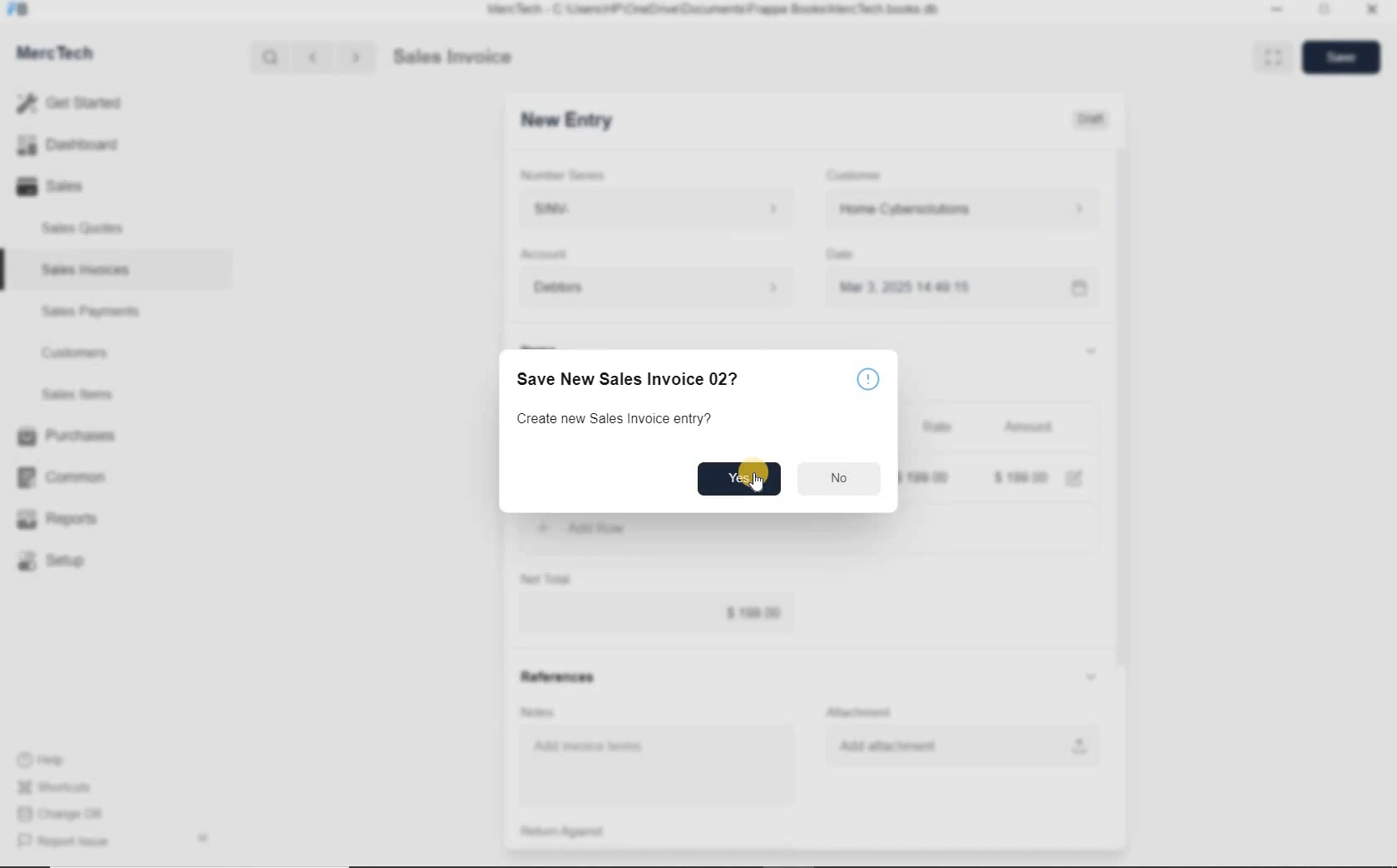 This screenshot has height=868, width=1397. Describe the element at coordinates (616, 420) in the screenshot. I see `create new sales invoice entry?` at that location.